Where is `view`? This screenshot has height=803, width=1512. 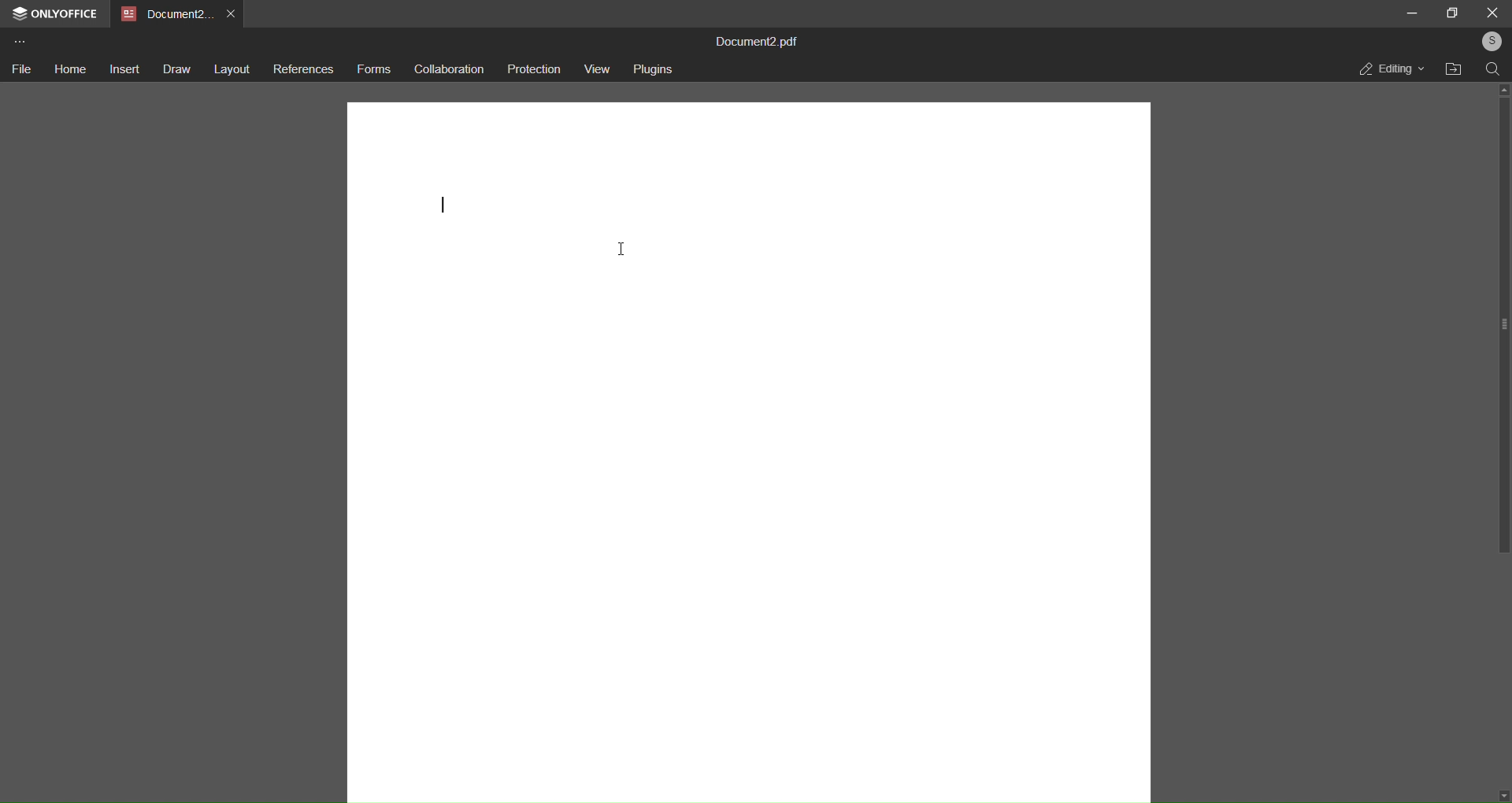
view is located at coordinates (598, 68).